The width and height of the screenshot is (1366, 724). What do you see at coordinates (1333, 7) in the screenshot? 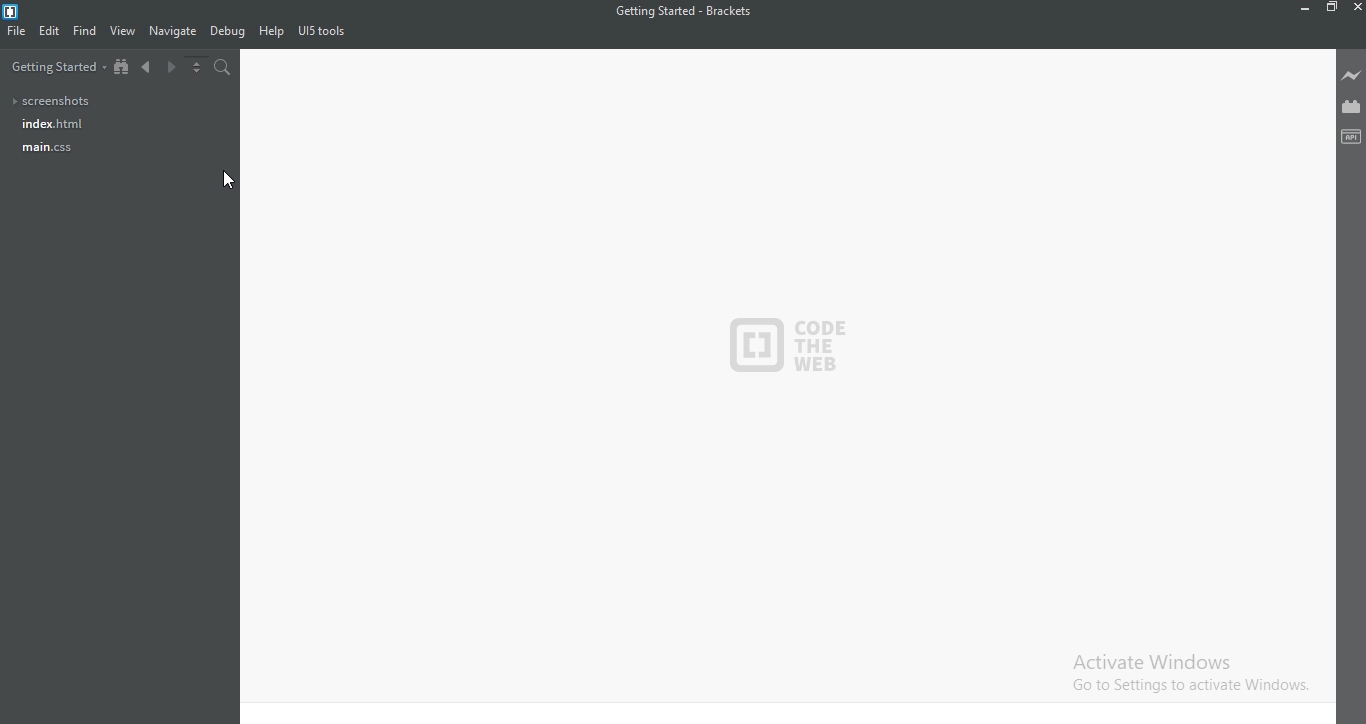
I see `Restore` at bounding box center [1333, 7].